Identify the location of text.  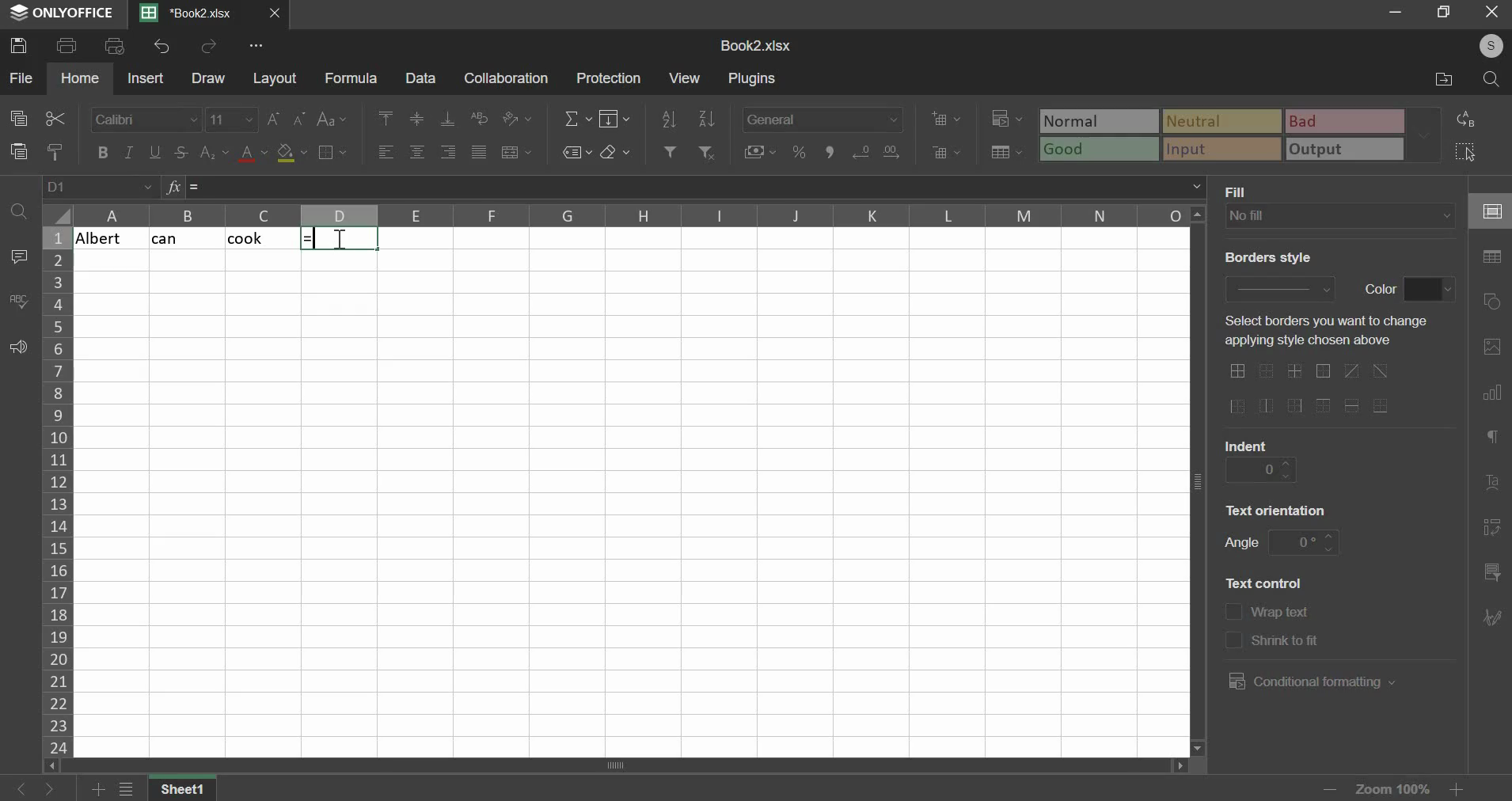
(1278, 509).